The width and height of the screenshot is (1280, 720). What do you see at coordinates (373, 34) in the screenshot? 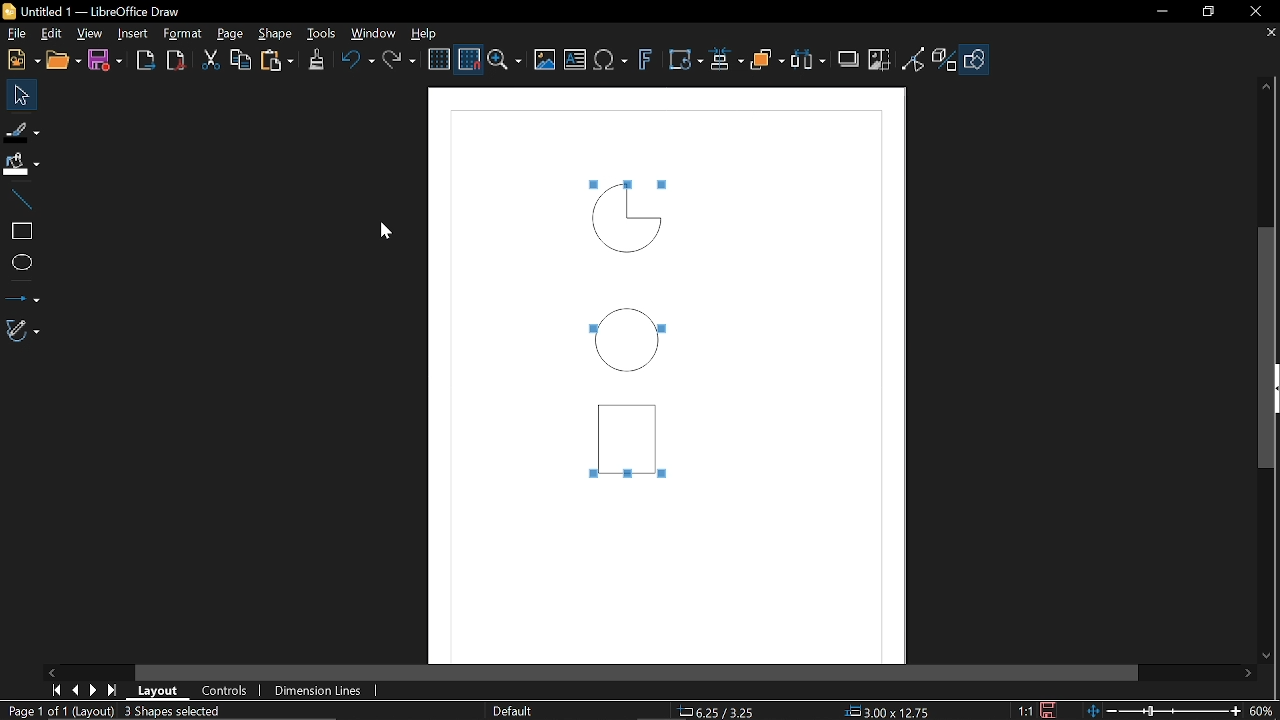
I see `Window` at bounding box center [373, 34].